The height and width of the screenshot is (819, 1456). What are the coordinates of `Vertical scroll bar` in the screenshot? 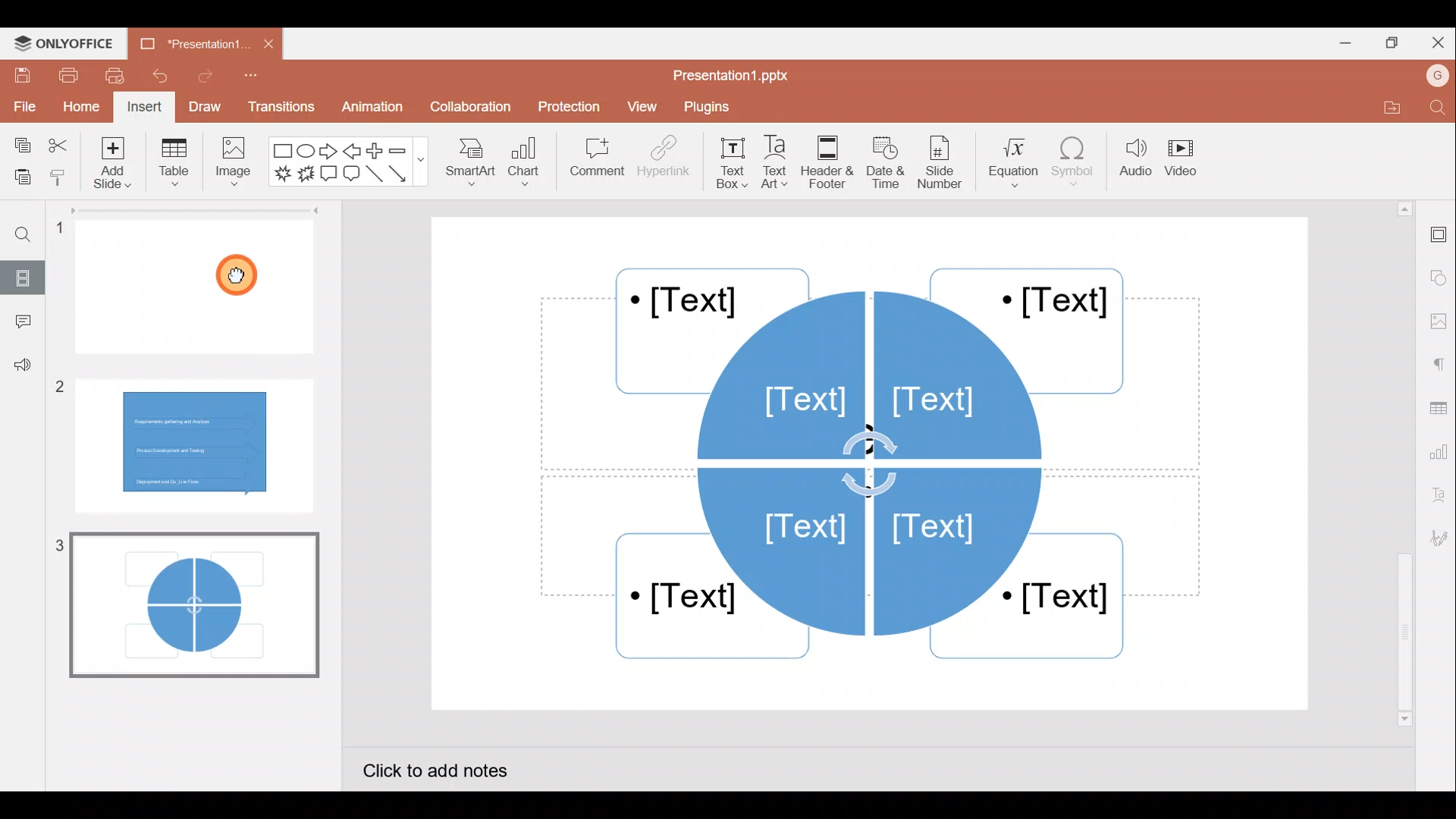 It's located at (1401, 462).